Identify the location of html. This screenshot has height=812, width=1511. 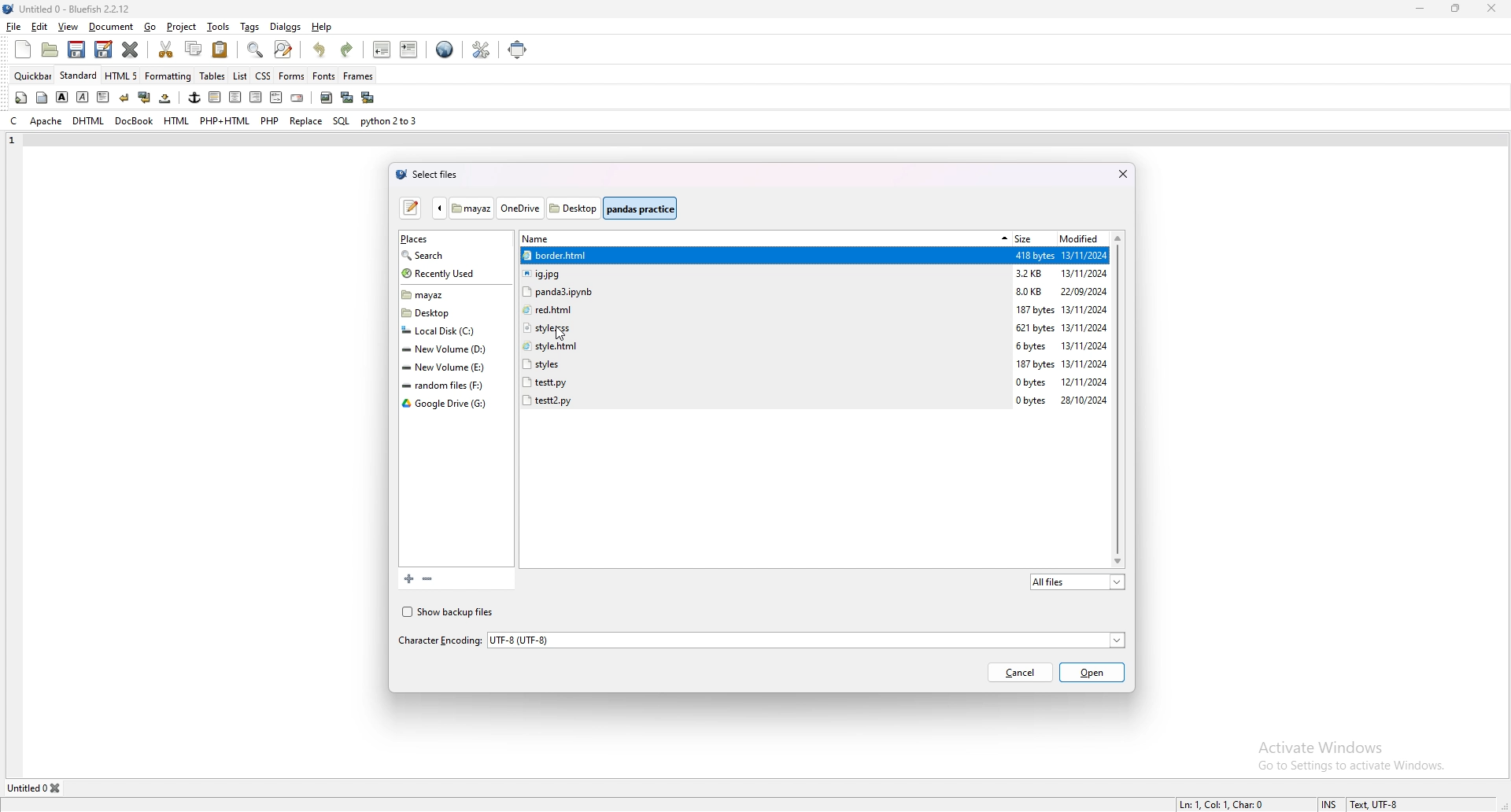
(177, 121).